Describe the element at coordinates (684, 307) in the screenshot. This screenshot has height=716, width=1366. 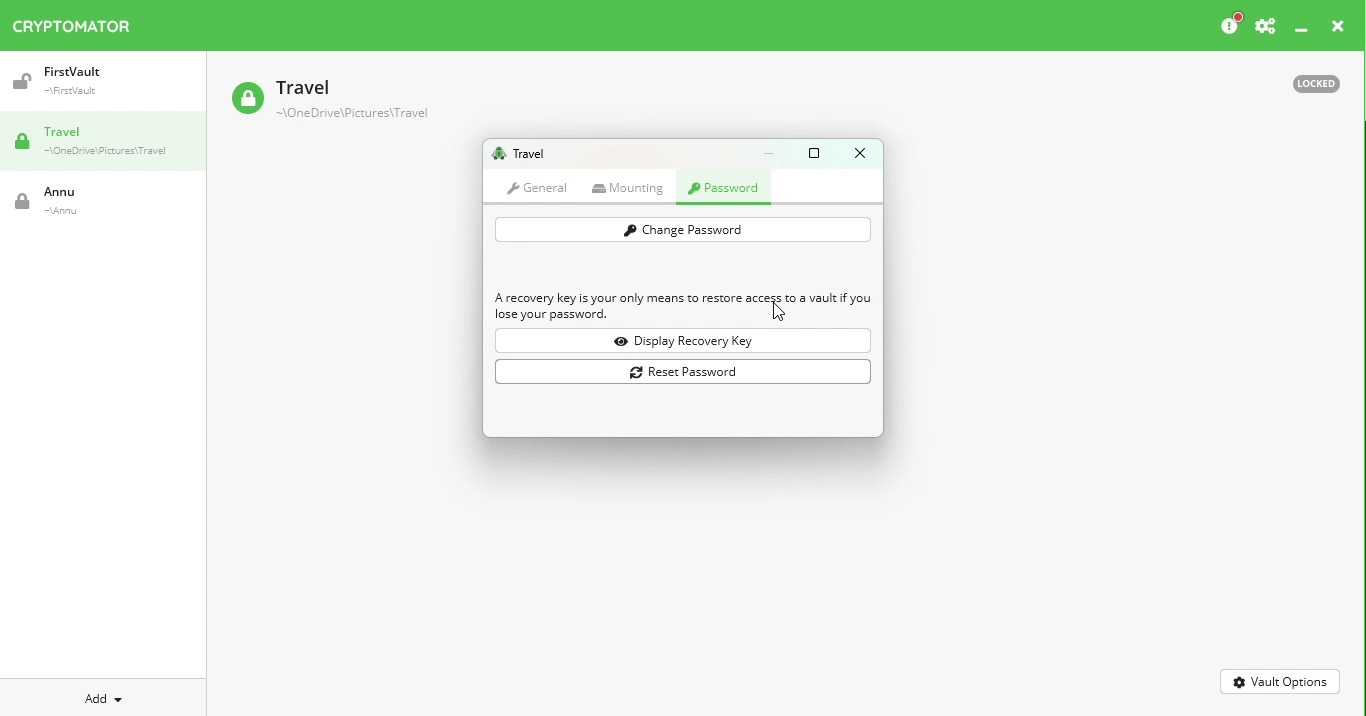
I see `Recovery key information` at that location.